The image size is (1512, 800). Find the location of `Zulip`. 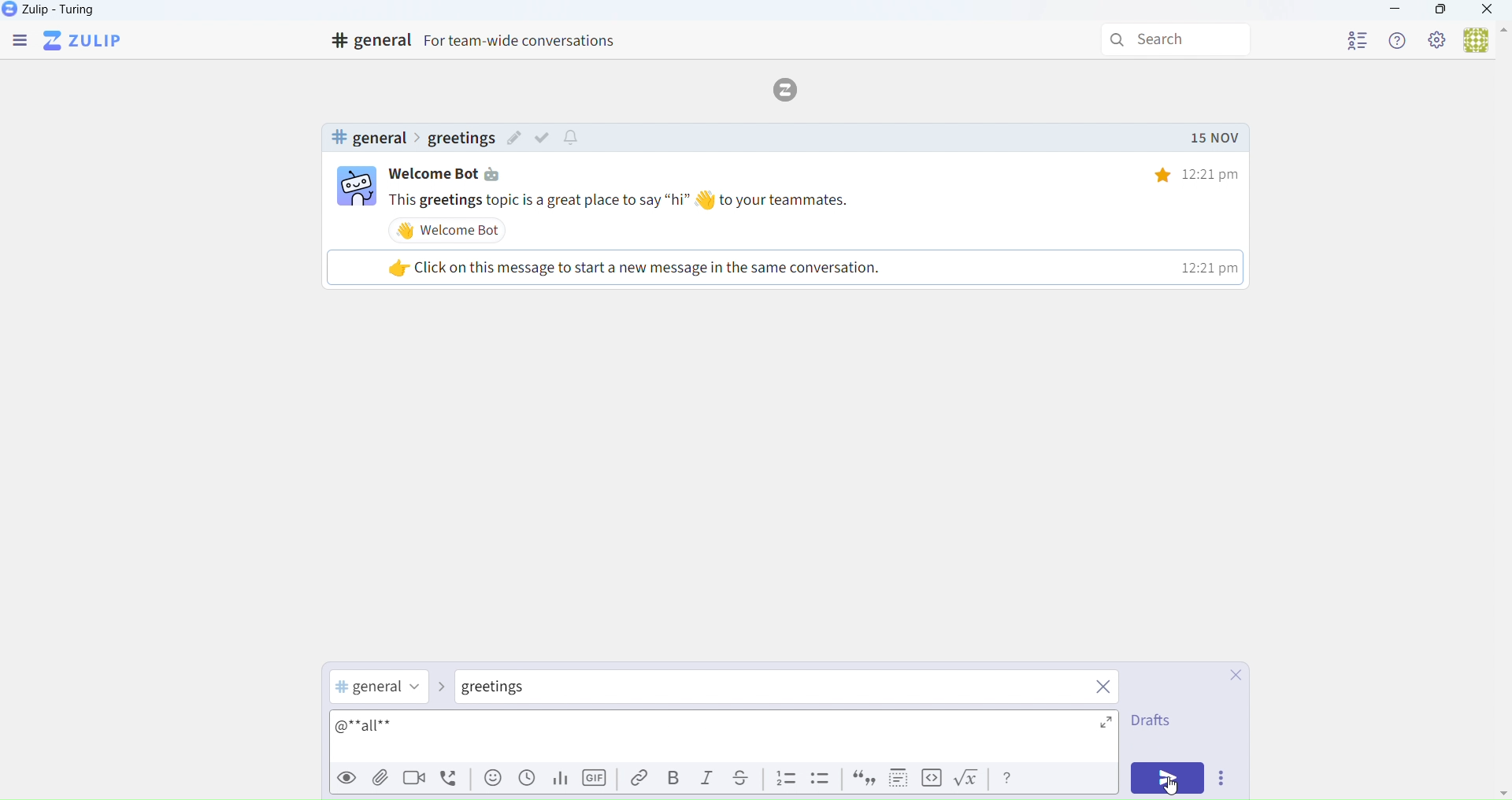

Zulip is located at coordinates (67, 13).